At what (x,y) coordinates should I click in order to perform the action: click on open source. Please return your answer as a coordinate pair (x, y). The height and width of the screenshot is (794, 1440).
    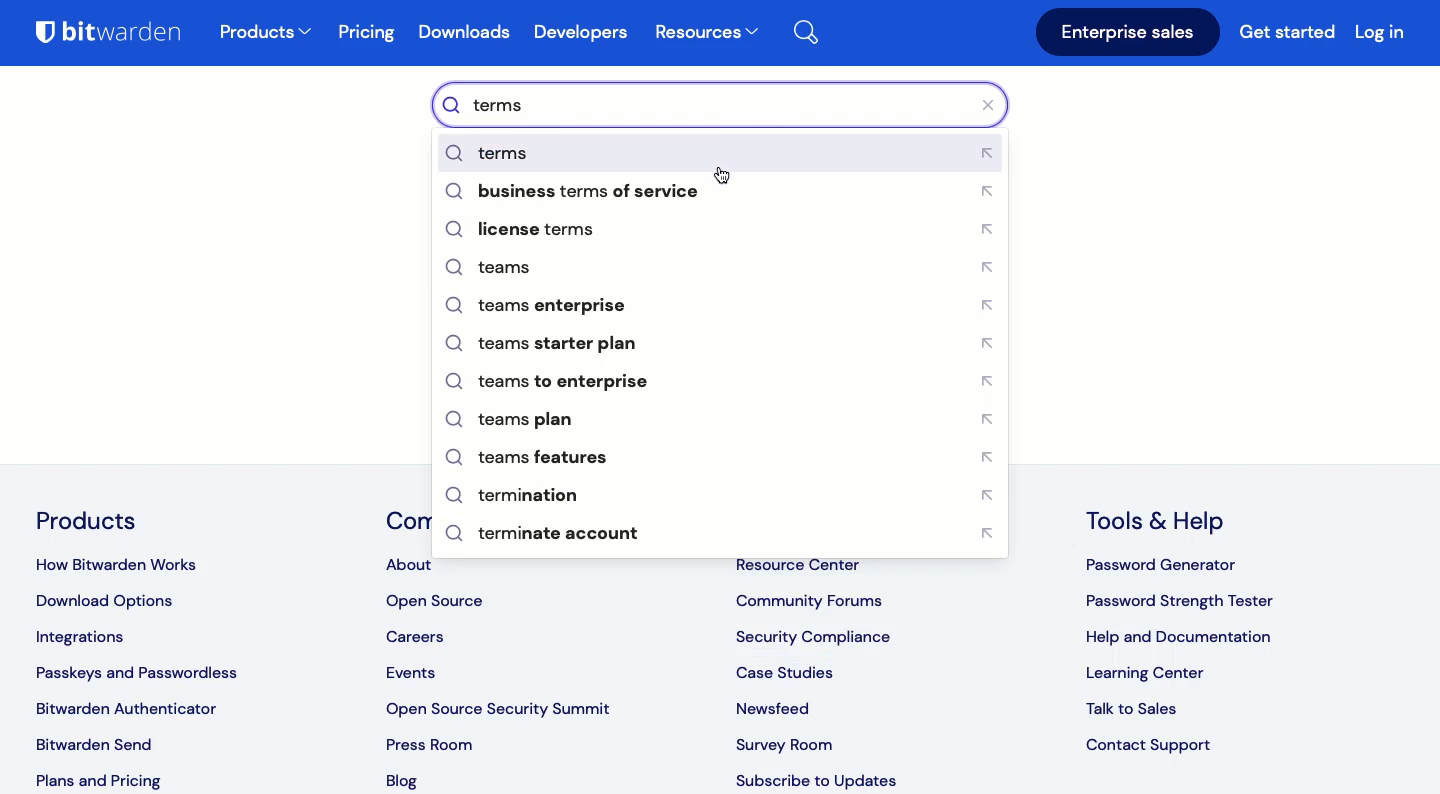
    Looking at the image, I should click on (438, 602).